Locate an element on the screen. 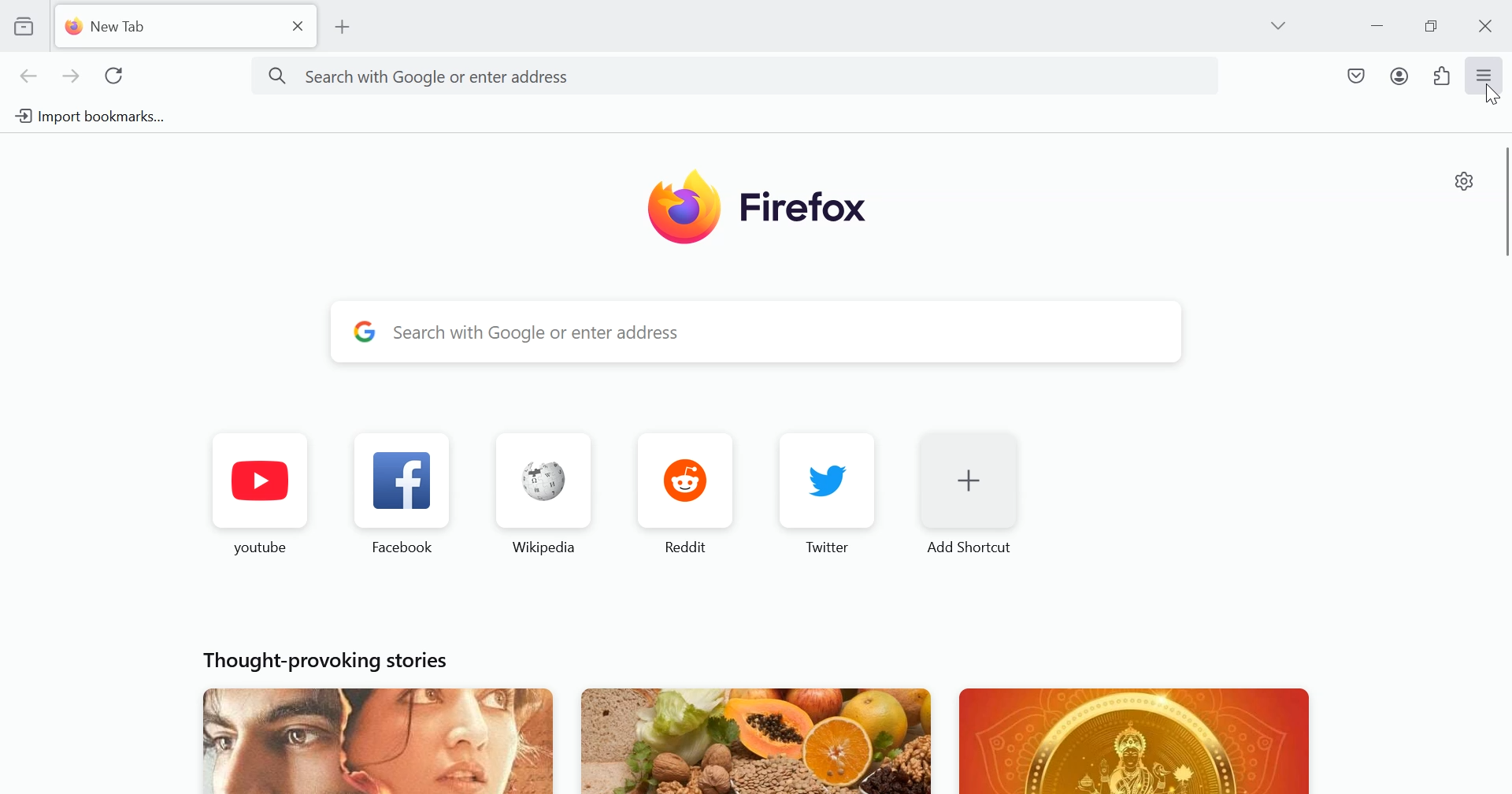 The image size is (1512, 794). vertical scrollbar is located at coordinates (1503, 203).